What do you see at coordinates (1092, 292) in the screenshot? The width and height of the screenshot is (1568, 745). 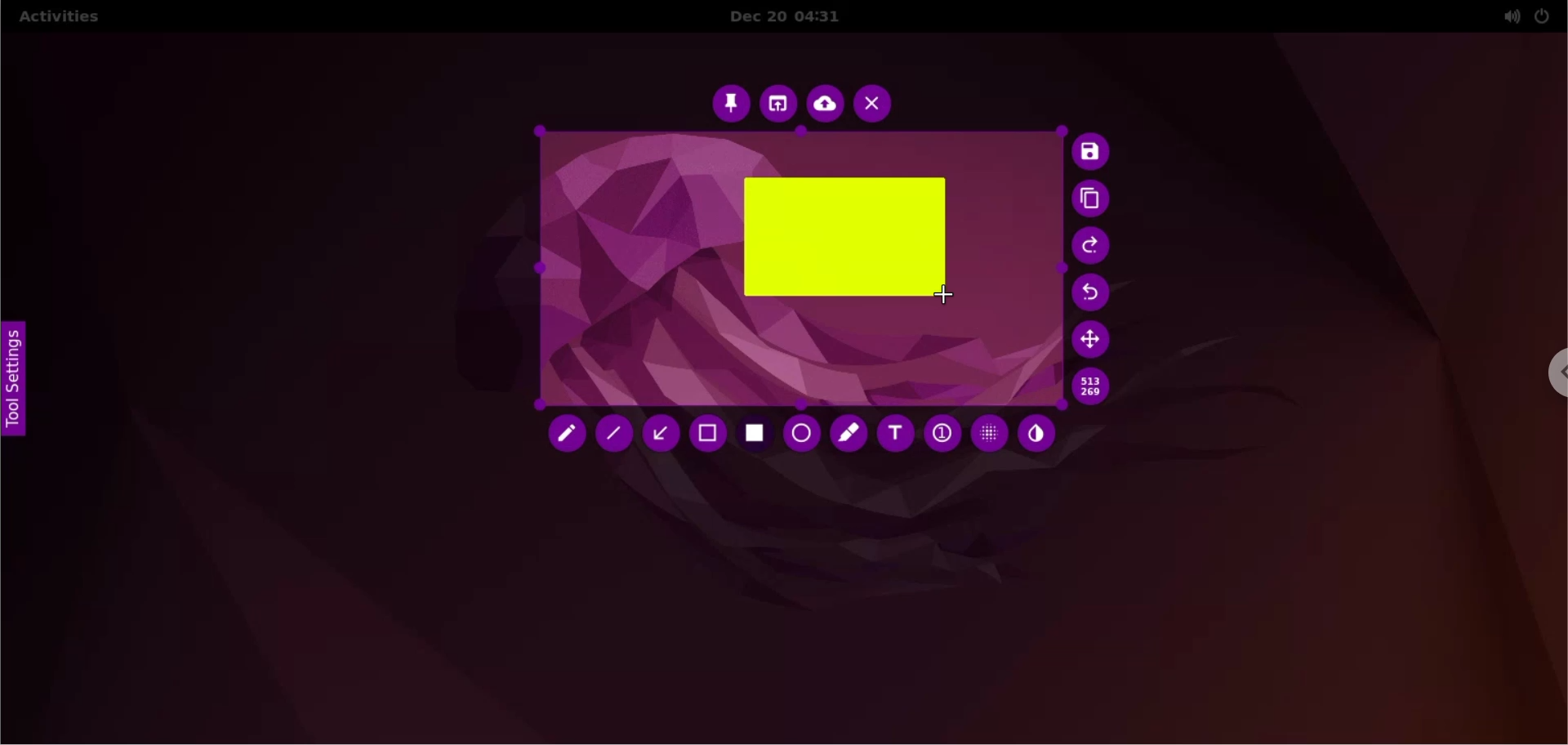 I see `undo` at bounding box center [1092, 292].